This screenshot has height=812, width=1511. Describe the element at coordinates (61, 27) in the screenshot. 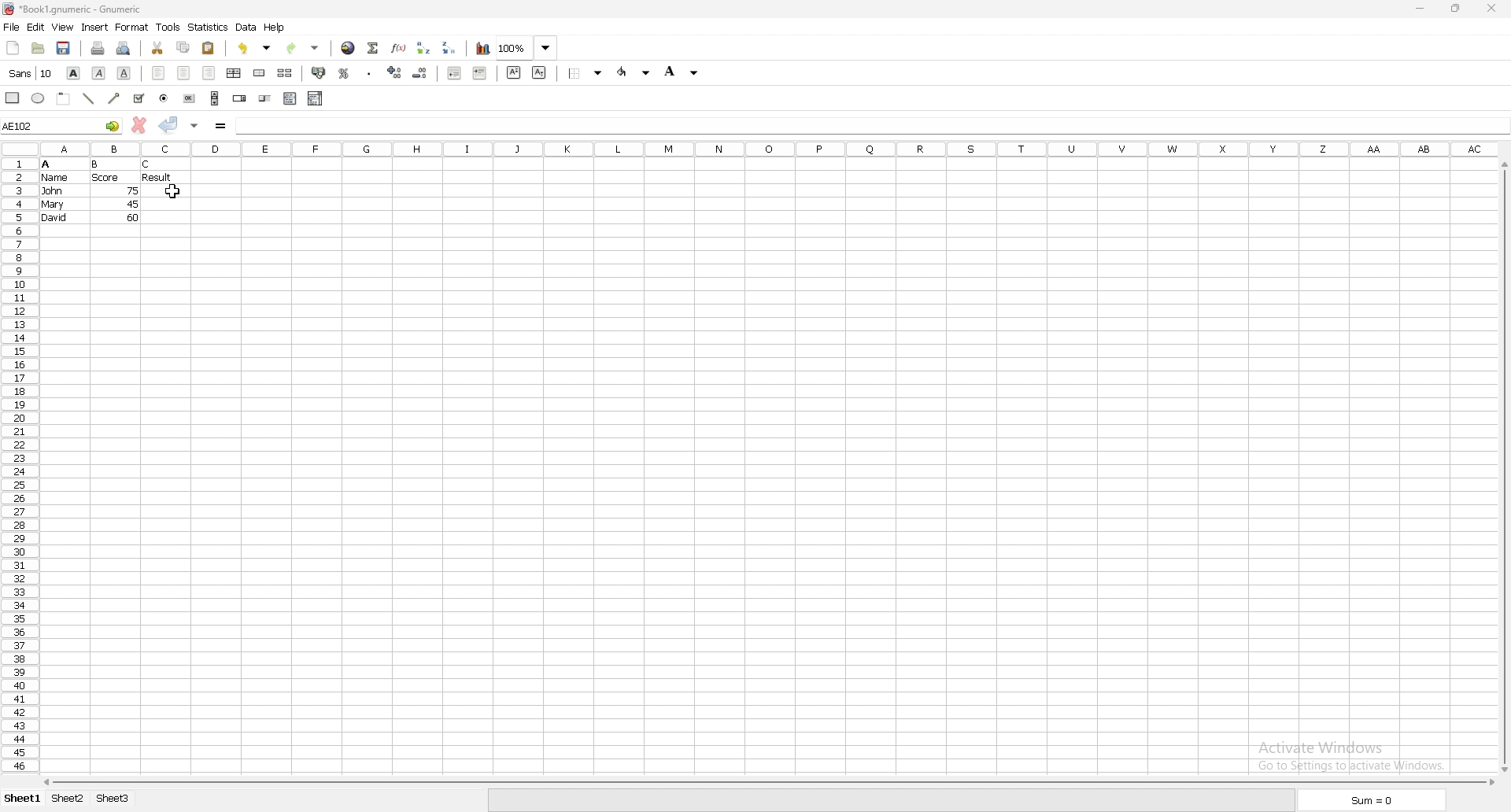

I see `view` at that location.